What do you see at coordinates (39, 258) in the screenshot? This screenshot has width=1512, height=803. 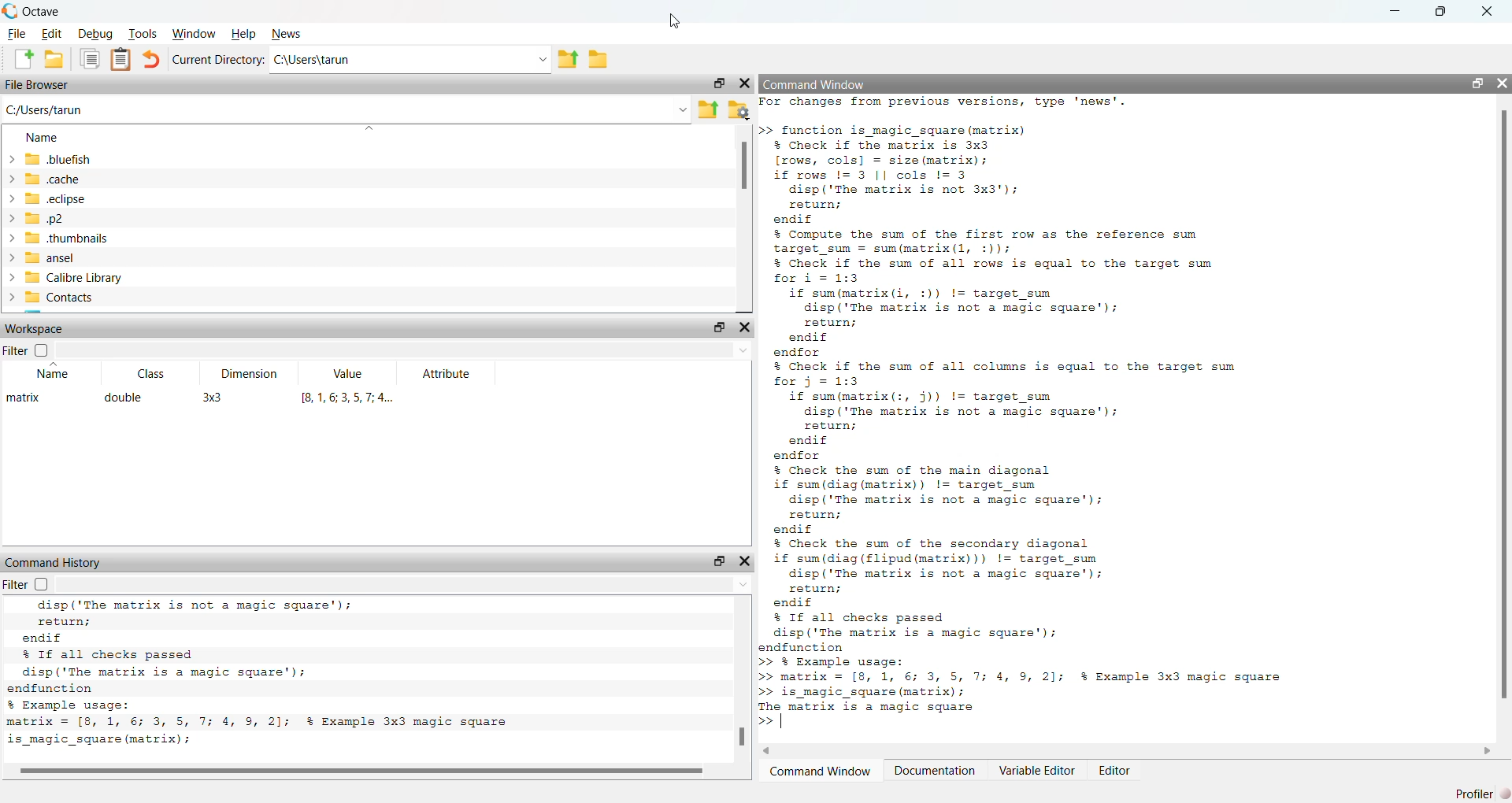 I see `ansel` at bounding box center [39, 258].